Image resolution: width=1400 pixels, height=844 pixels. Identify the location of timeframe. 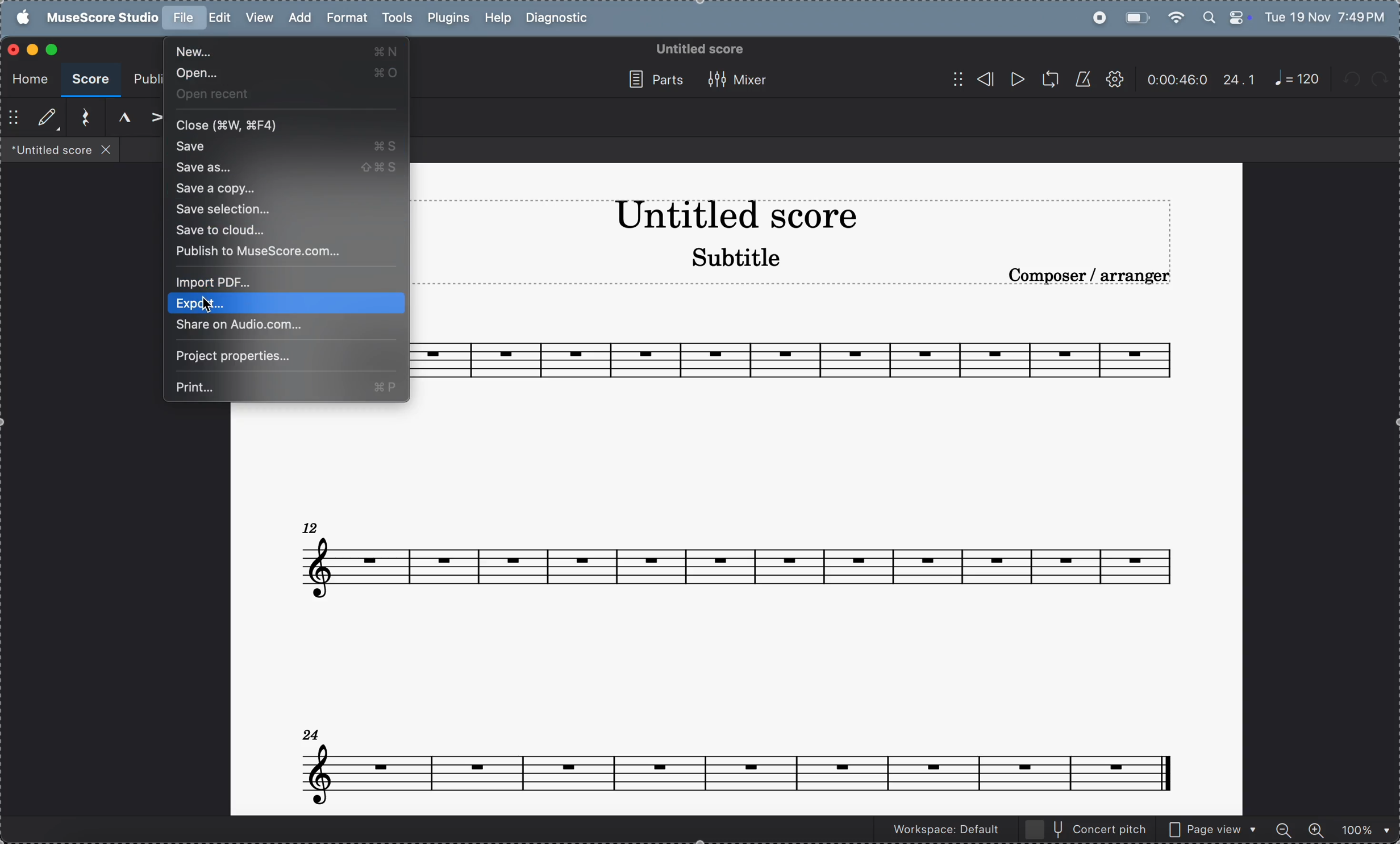
(1177, 79).